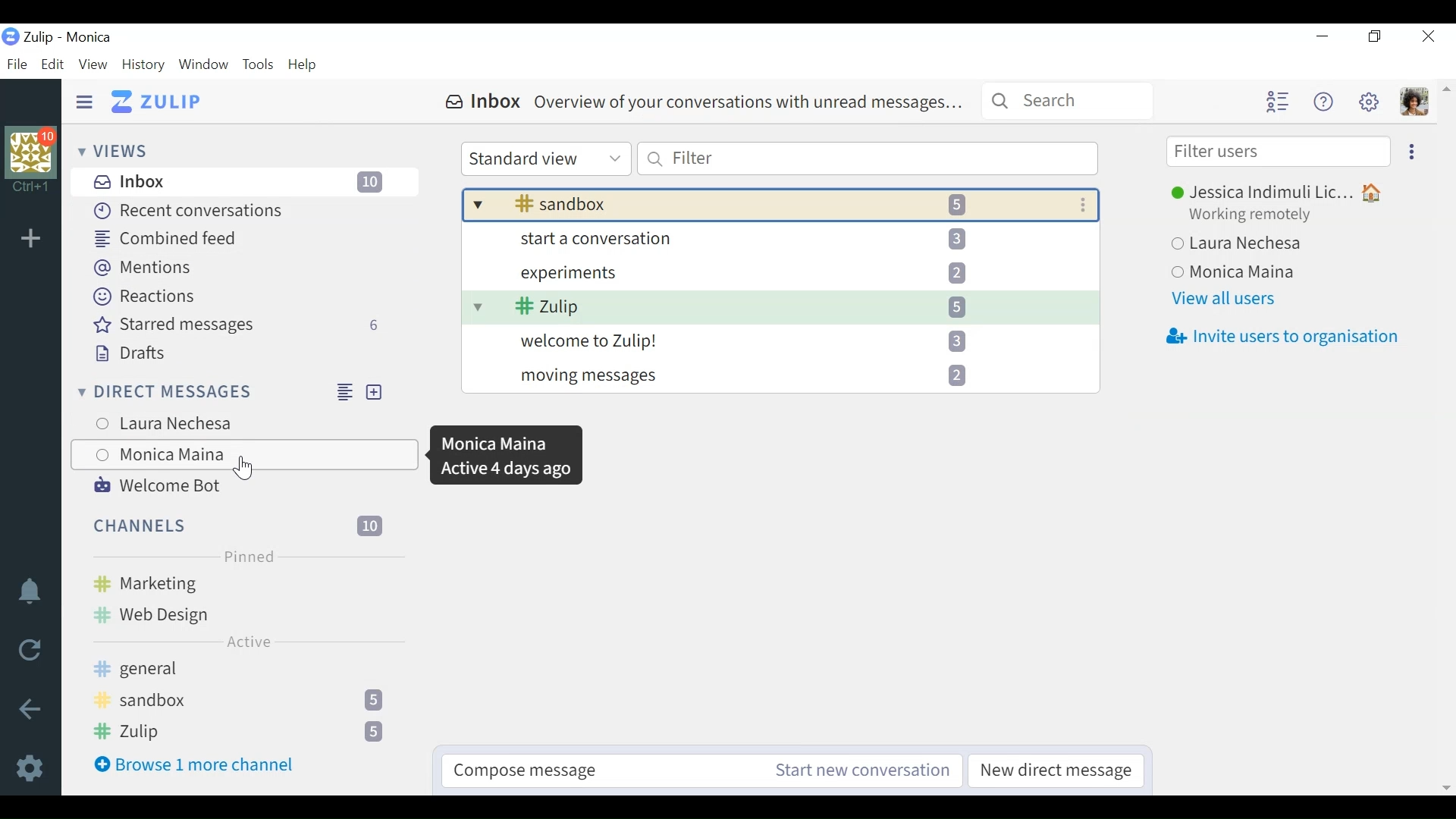 This screenshot has width=1456, height=819. I want to click on New Direct message, so click(375, 392).